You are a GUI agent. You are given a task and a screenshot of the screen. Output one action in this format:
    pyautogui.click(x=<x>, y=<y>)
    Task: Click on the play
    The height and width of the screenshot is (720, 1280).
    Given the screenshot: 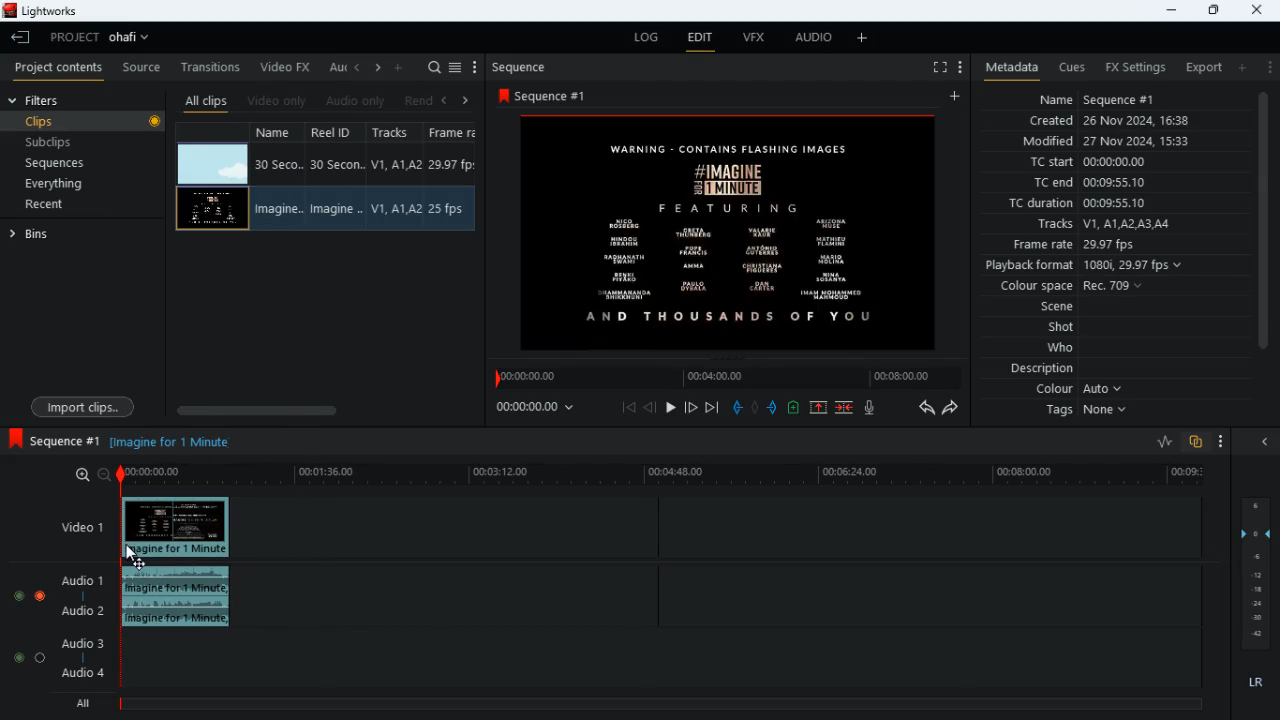 What is the action you would take?
    pyautogui.click(x=672, y=406)
    